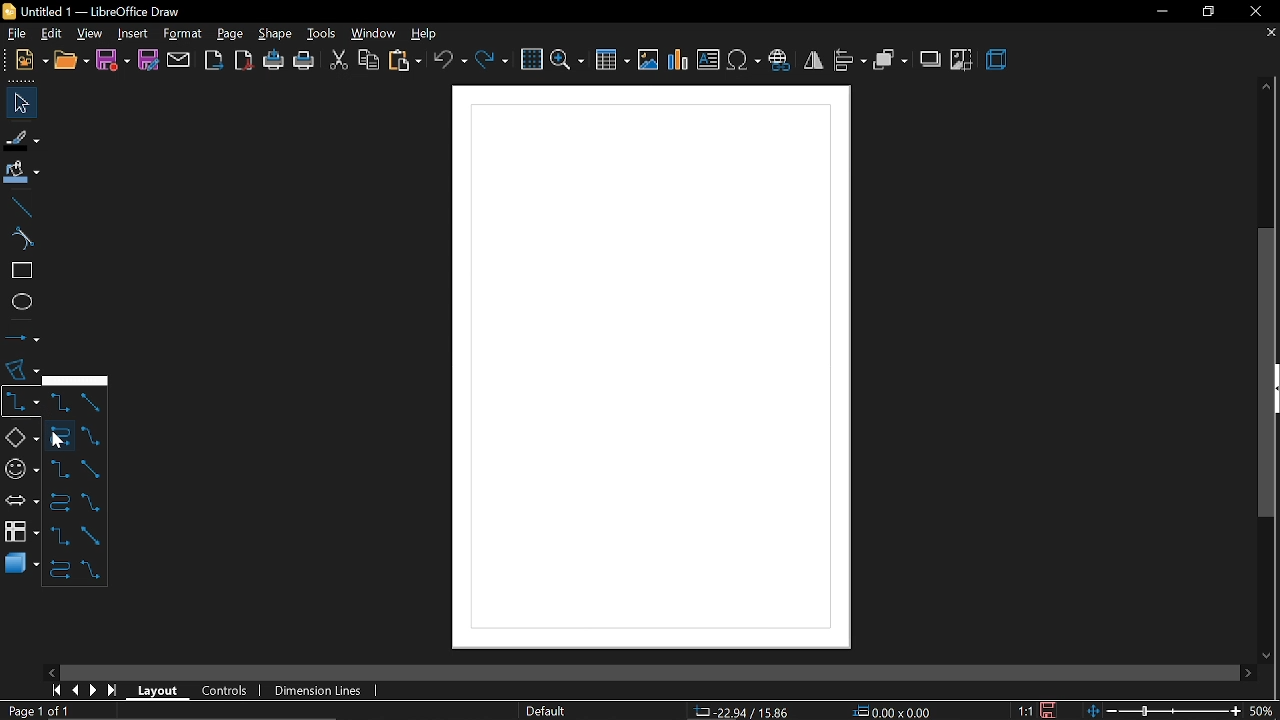 Image resolution: width=1280 pixels, height=720 pixels. I want to click on attach, so click(178, 60).